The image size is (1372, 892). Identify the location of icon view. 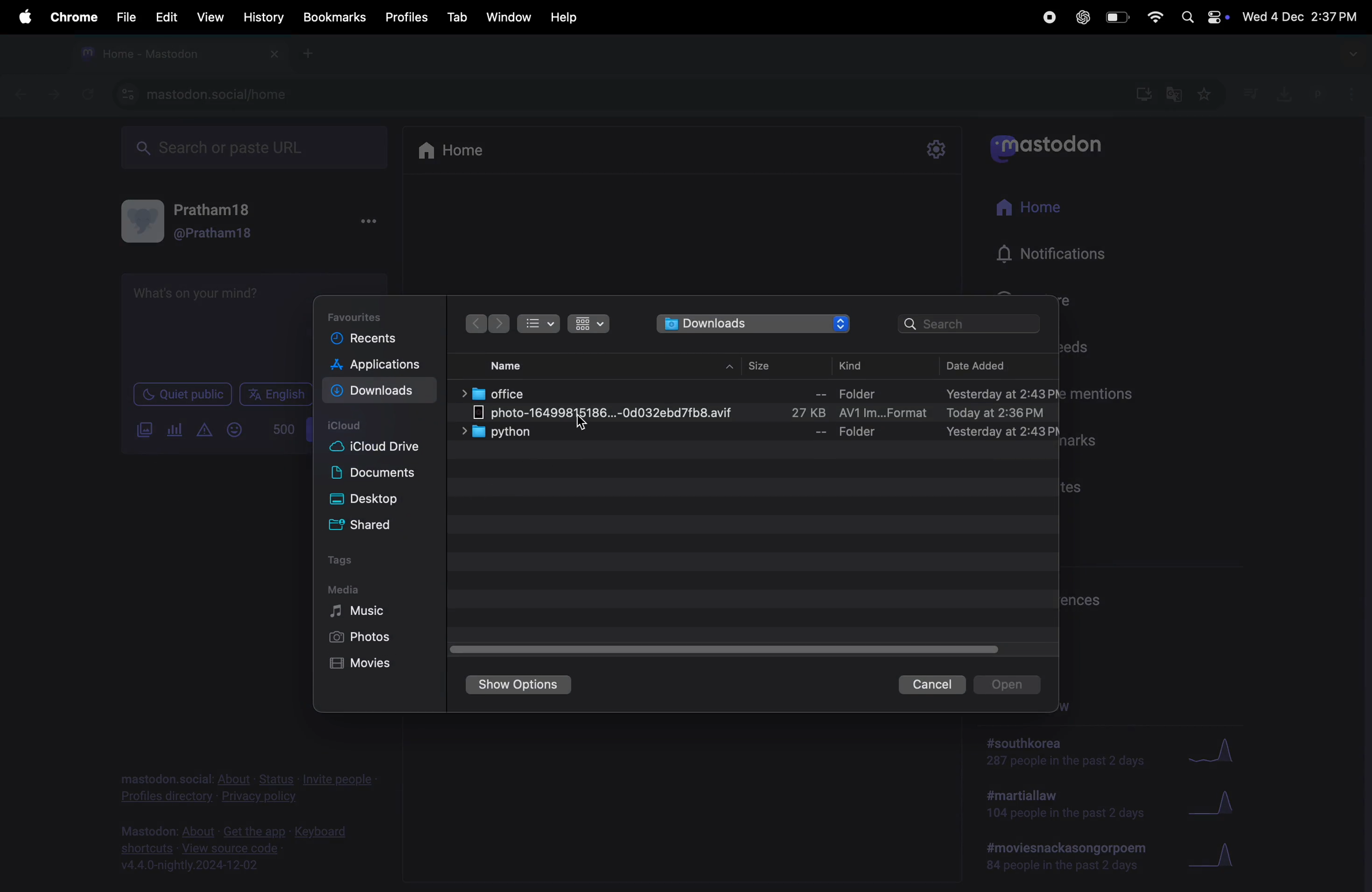
(590, 324).